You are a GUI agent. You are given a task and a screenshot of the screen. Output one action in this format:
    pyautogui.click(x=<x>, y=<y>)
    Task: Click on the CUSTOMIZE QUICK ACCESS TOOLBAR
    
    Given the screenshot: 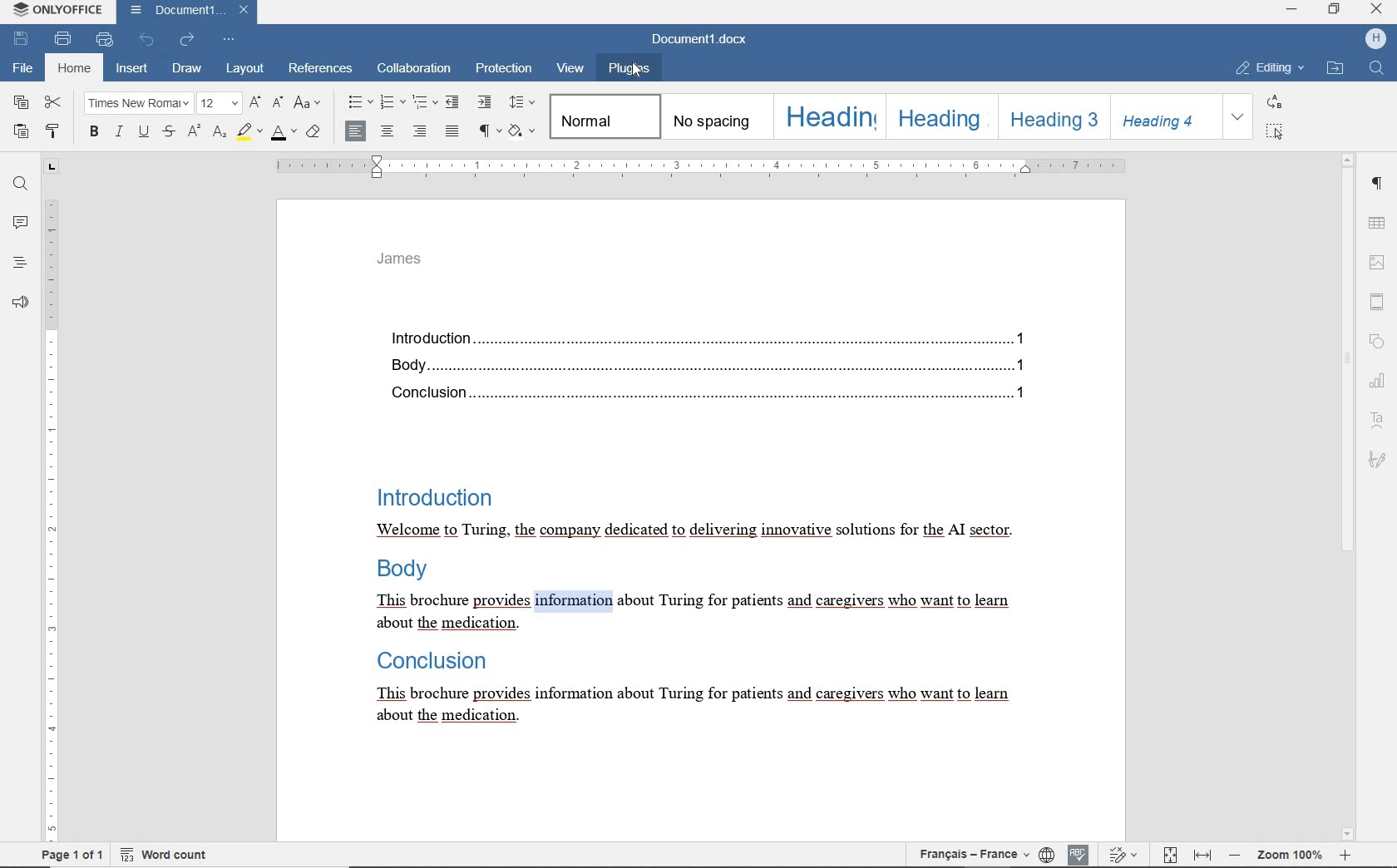 What is the action you would take?
    pyautogui.click(x=230, y=40)
    